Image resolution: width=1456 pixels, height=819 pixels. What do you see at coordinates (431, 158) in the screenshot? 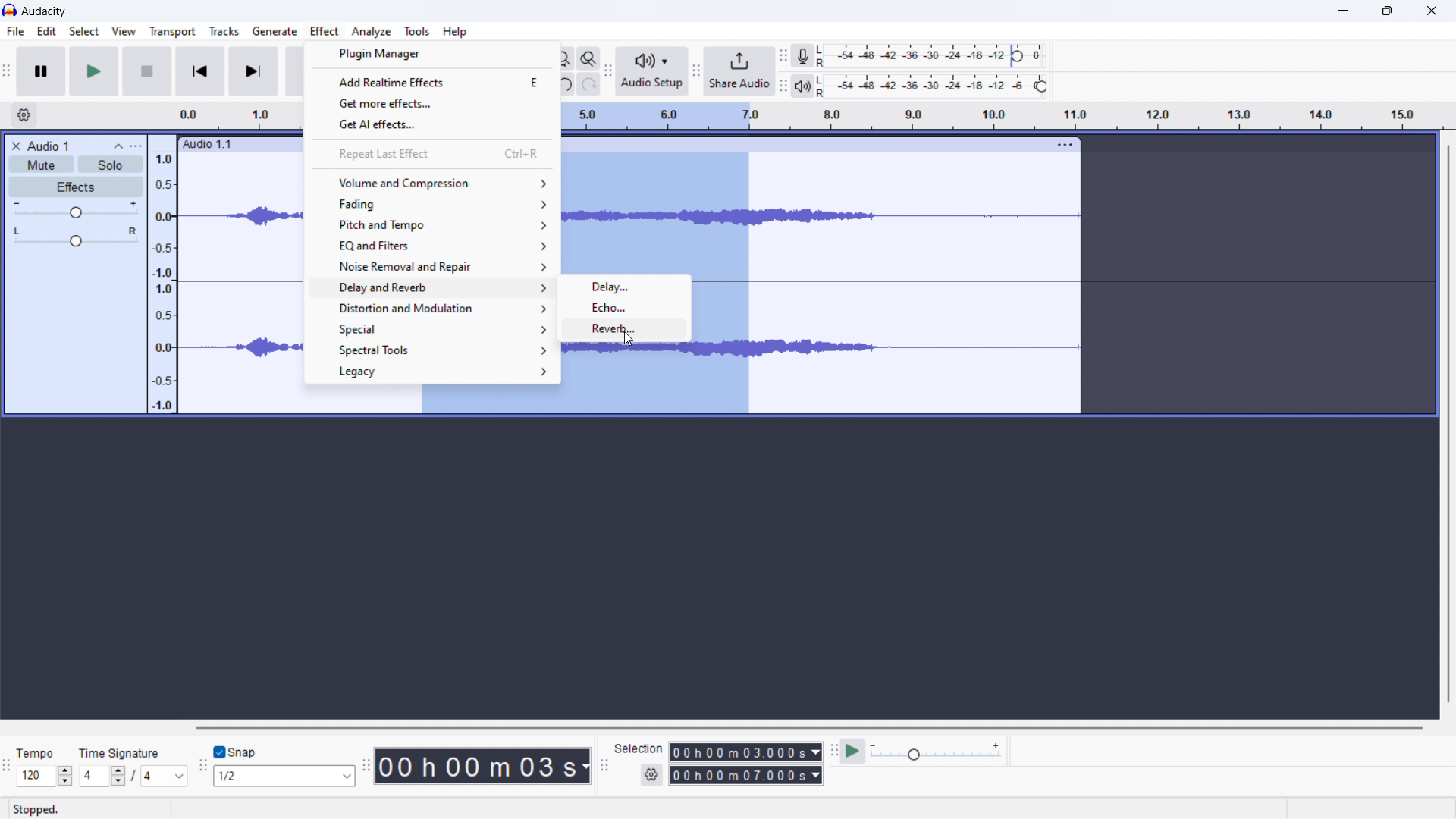
I see `repeat last effect  ctrl+R` at bounding box center [431, 158].